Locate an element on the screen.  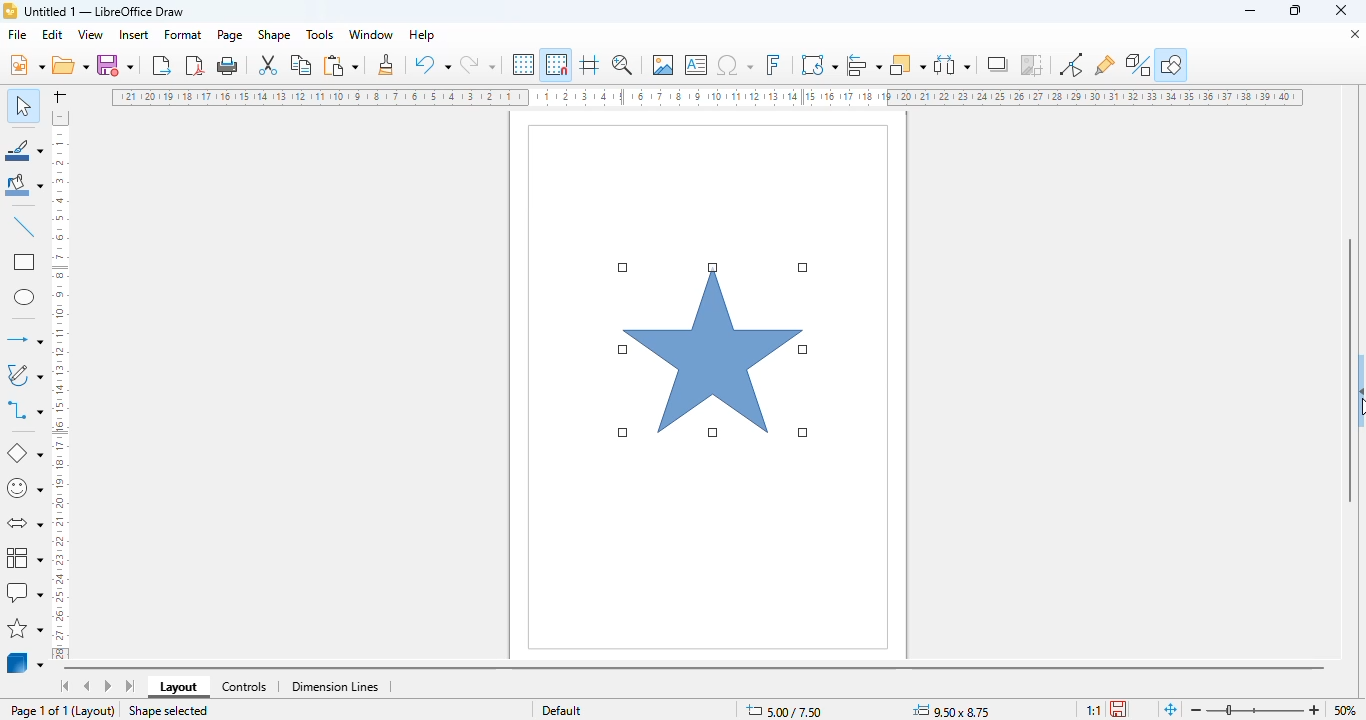
arrange is located at coordinates (908, 65).